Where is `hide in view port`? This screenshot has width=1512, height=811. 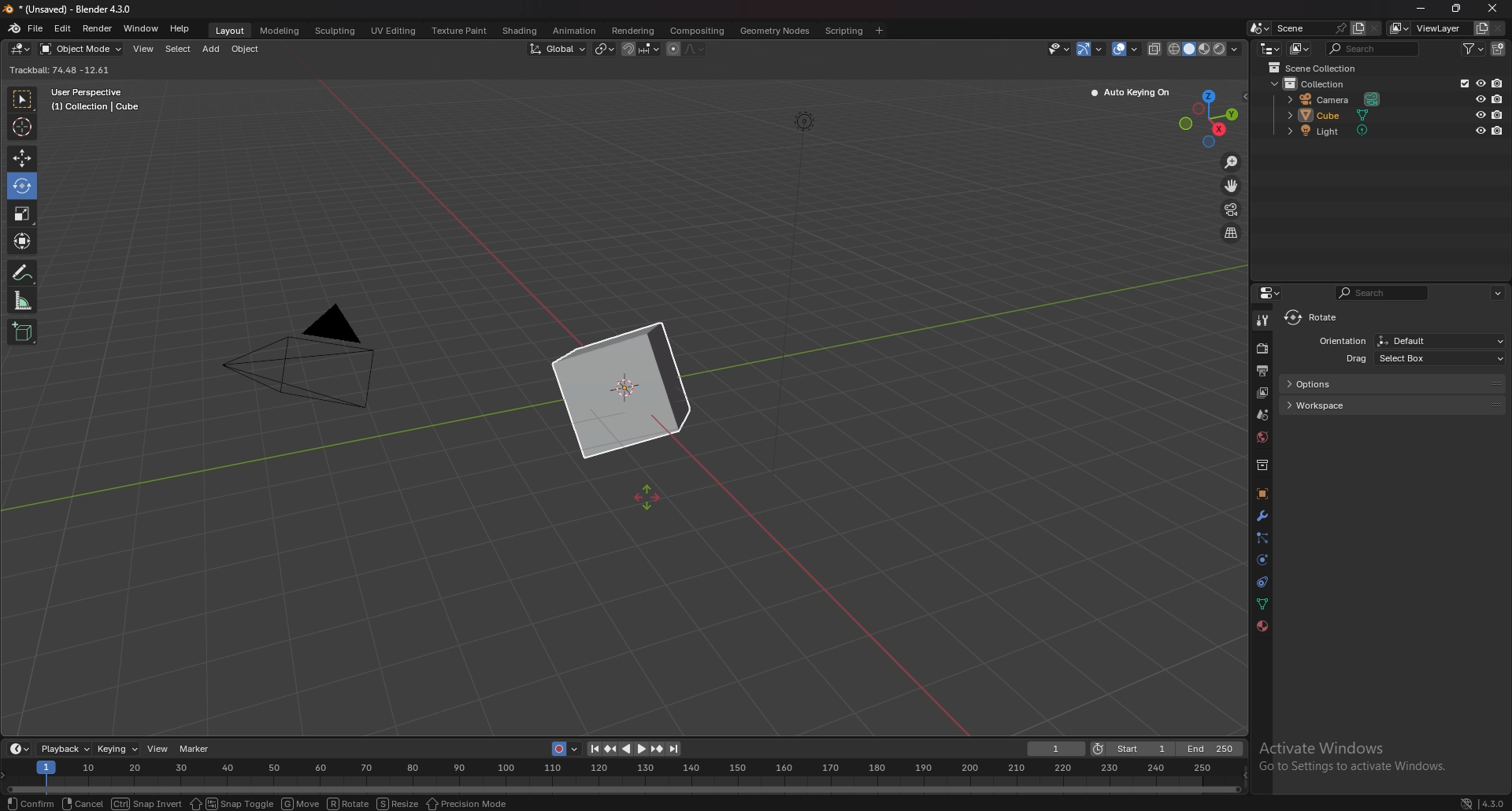
hide in view port is located at coordinates (1482, 114).